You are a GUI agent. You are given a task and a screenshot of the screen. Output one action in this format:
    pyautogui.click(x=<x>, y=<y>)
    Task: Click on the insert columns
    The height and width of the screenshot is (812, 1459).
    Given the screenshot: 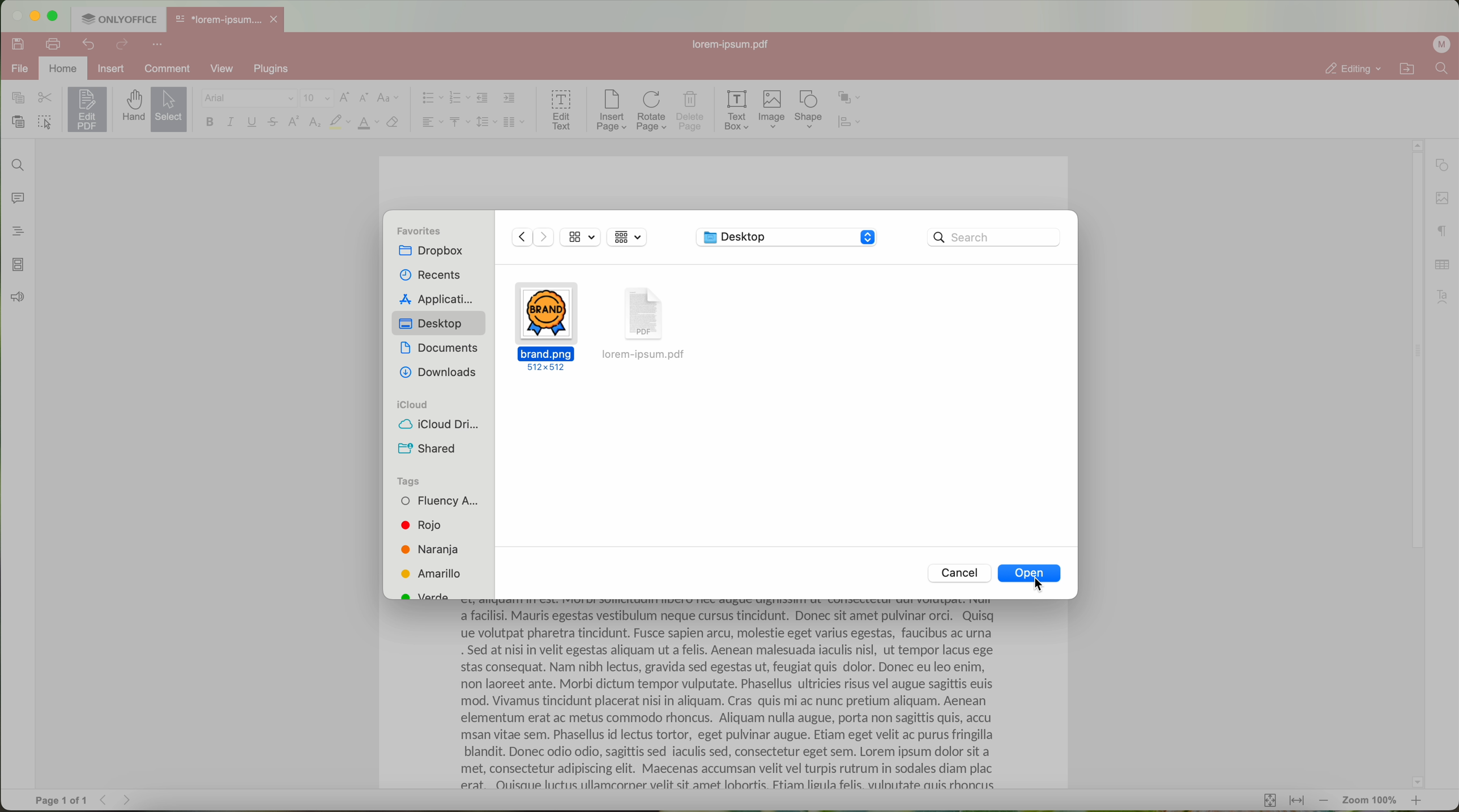 What is the action you would take?
    pyautogui.click(x=515, y=123)
    